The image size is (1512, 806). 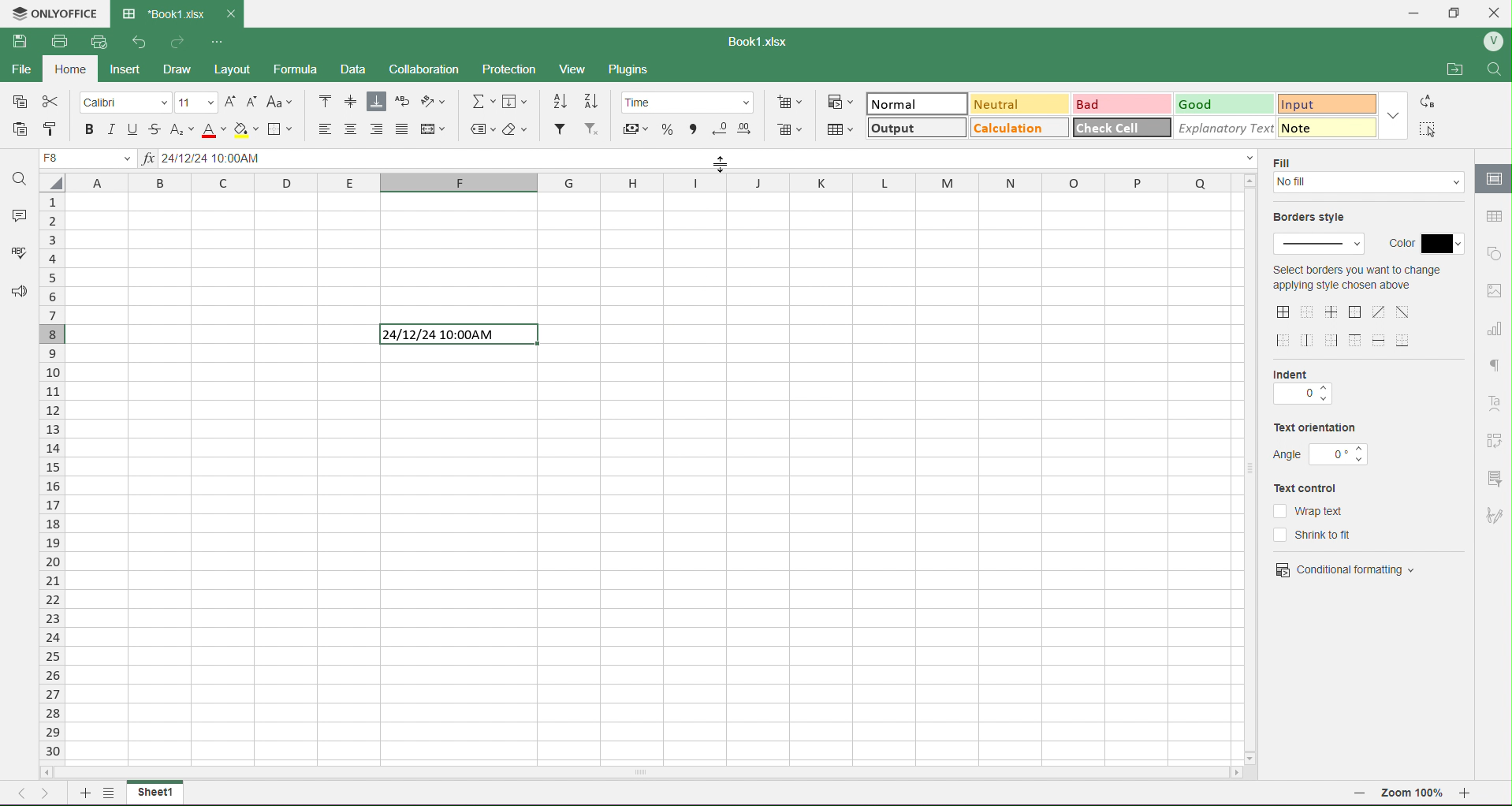 What do you see at coordinates (435, 128) in the screenshot?
I see `Merge and Center` at bounding box center [435, 128].